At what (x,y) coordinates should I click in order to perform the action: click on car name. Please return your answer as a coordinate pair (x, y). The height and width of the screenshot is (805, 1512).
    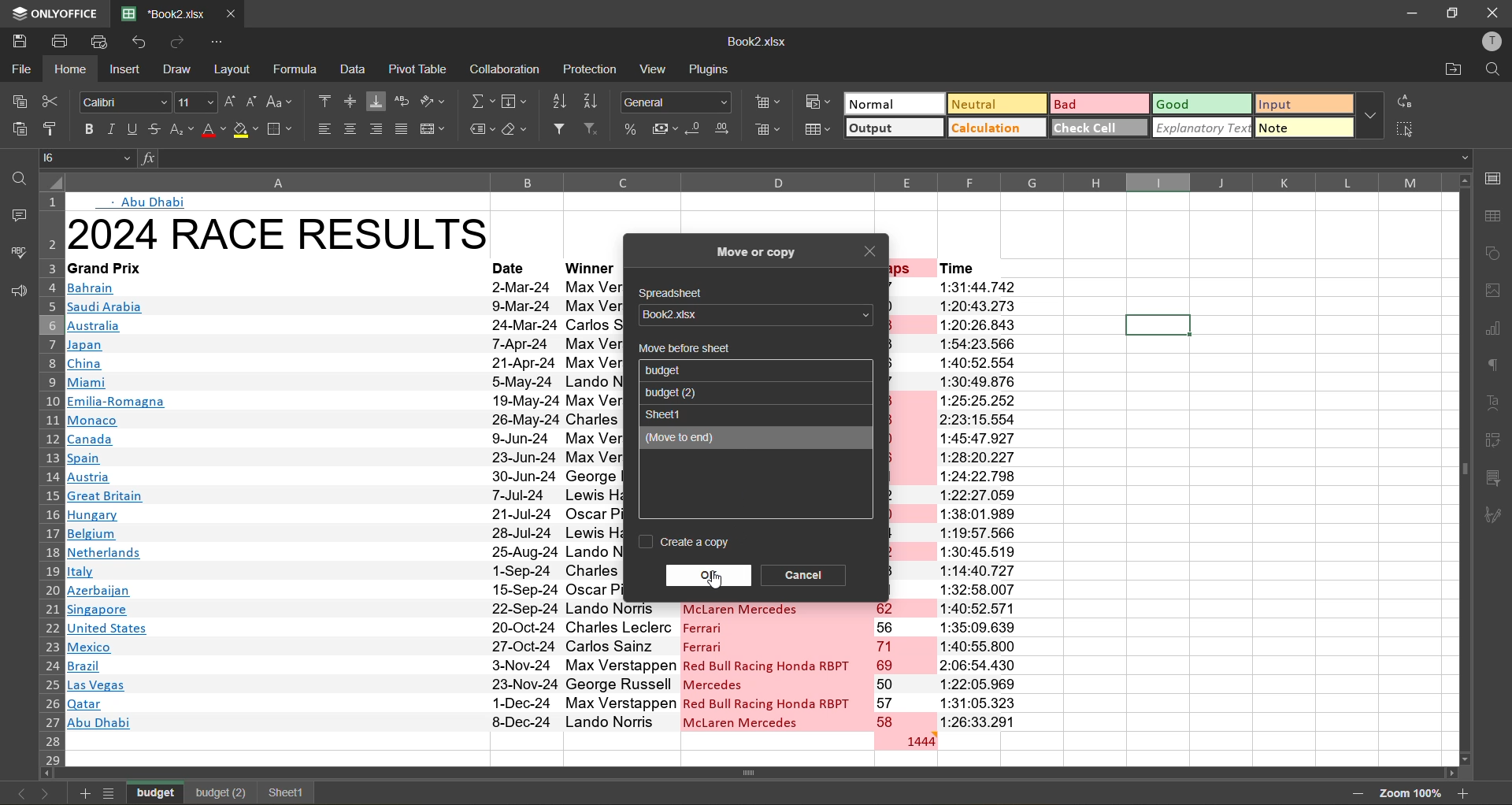
    Looking at the image, I should click on (775, 666).